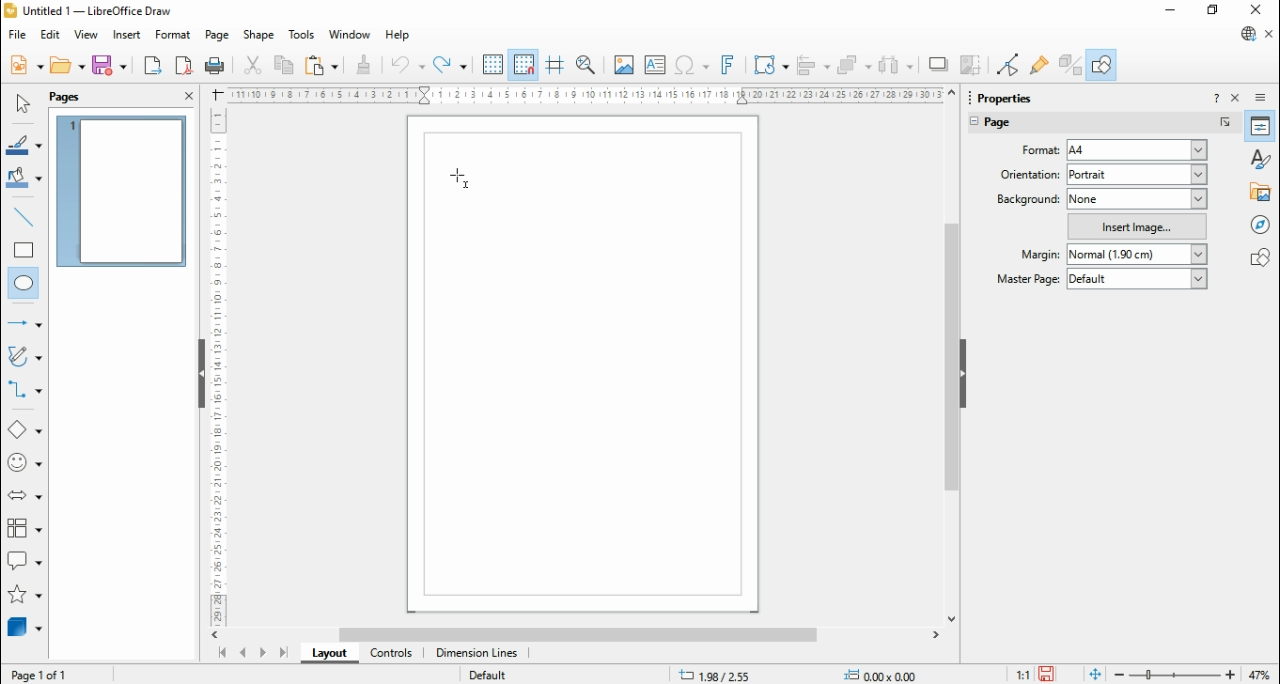 Image resolution: width=1280 pixels, height=684 pixels. What do you see at coordinates (217, 363) in the screenshot?
I see `Scale` at bounding box center [217, 363].